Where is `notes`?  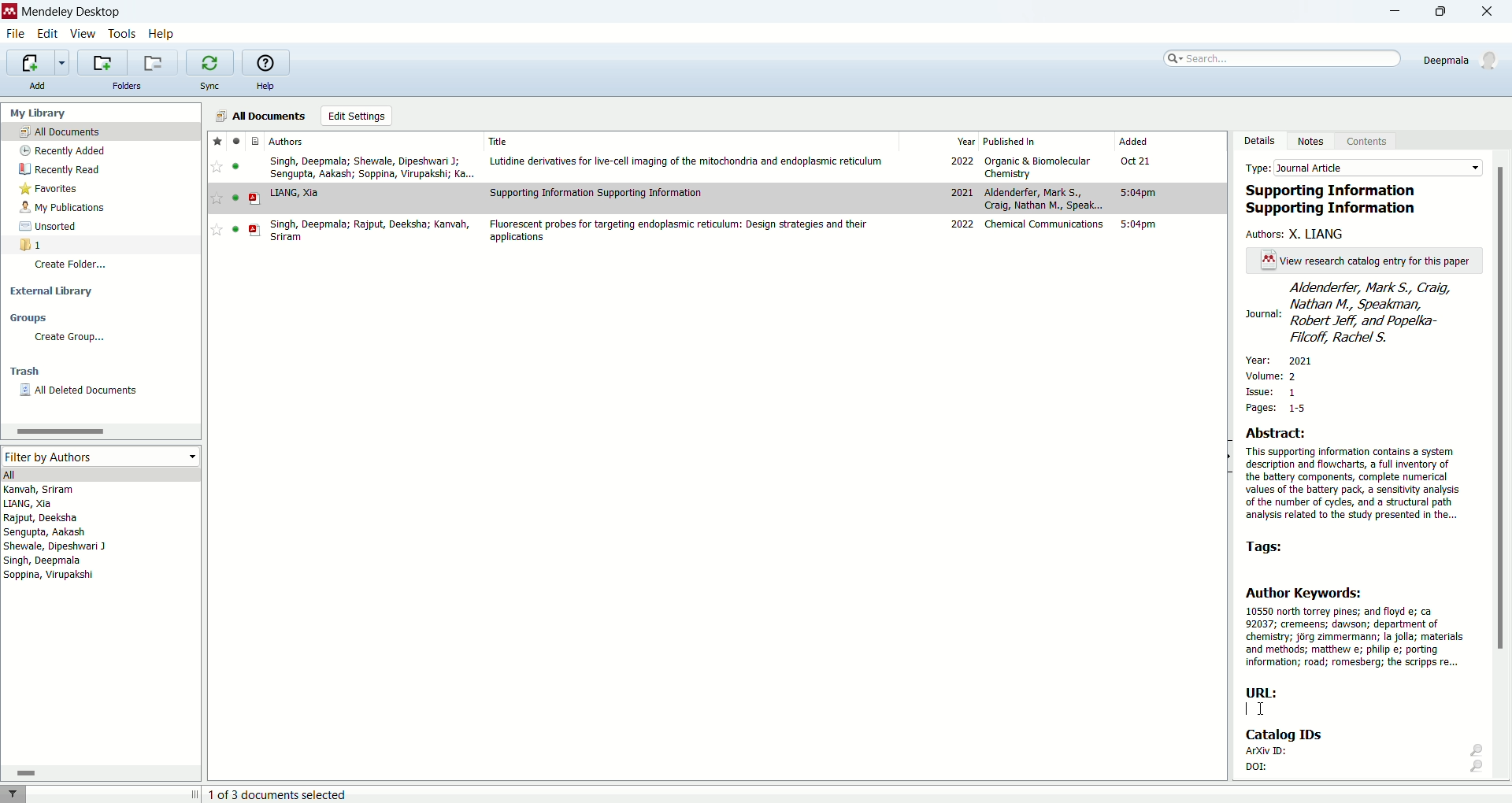 notes is located at coordinates (1314, 142).